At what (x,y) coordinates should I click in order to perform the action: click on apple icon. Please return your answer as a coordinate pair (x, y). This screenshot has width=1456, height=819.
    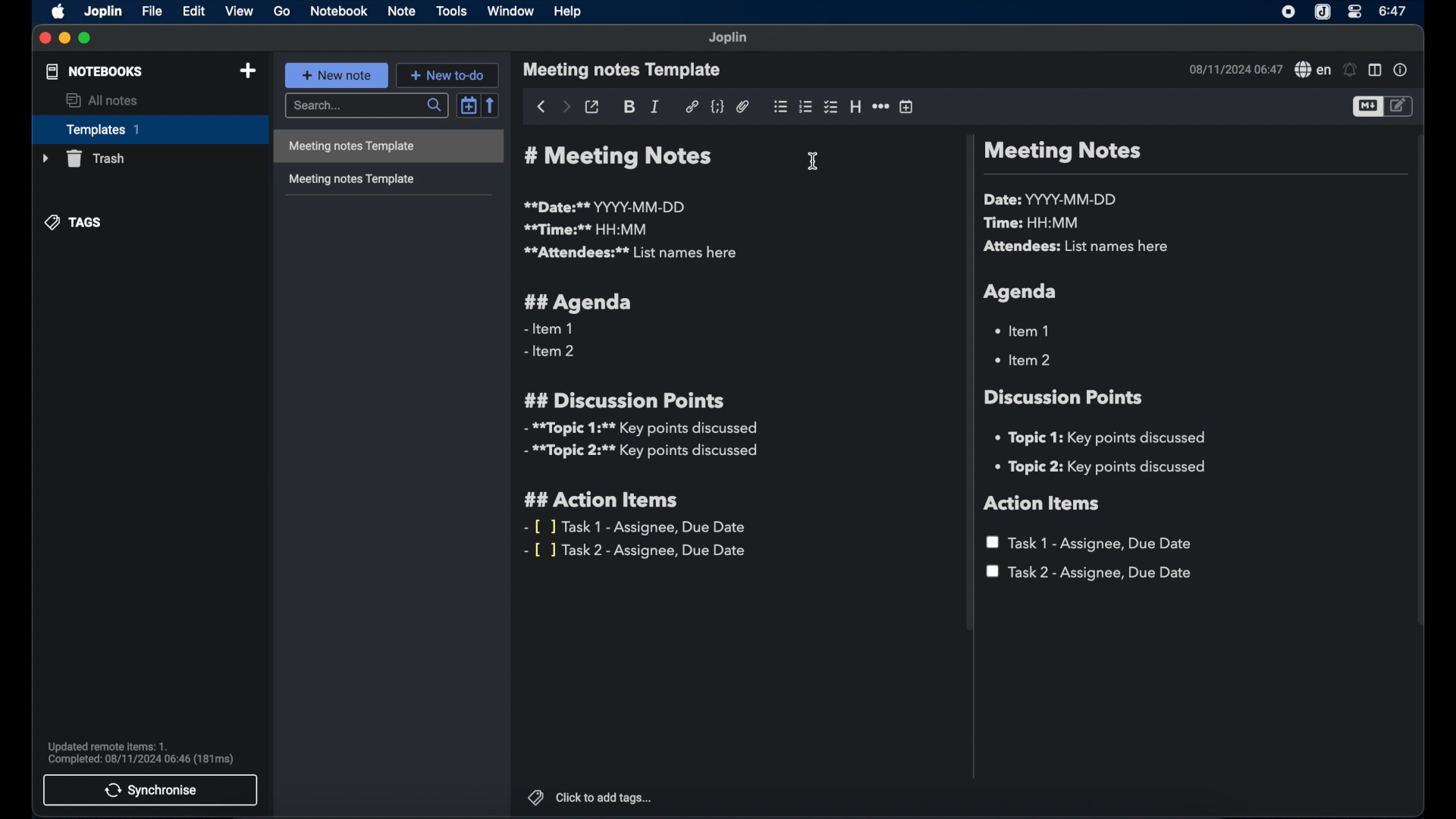
    Looking at the image, I should click on (55, 12).